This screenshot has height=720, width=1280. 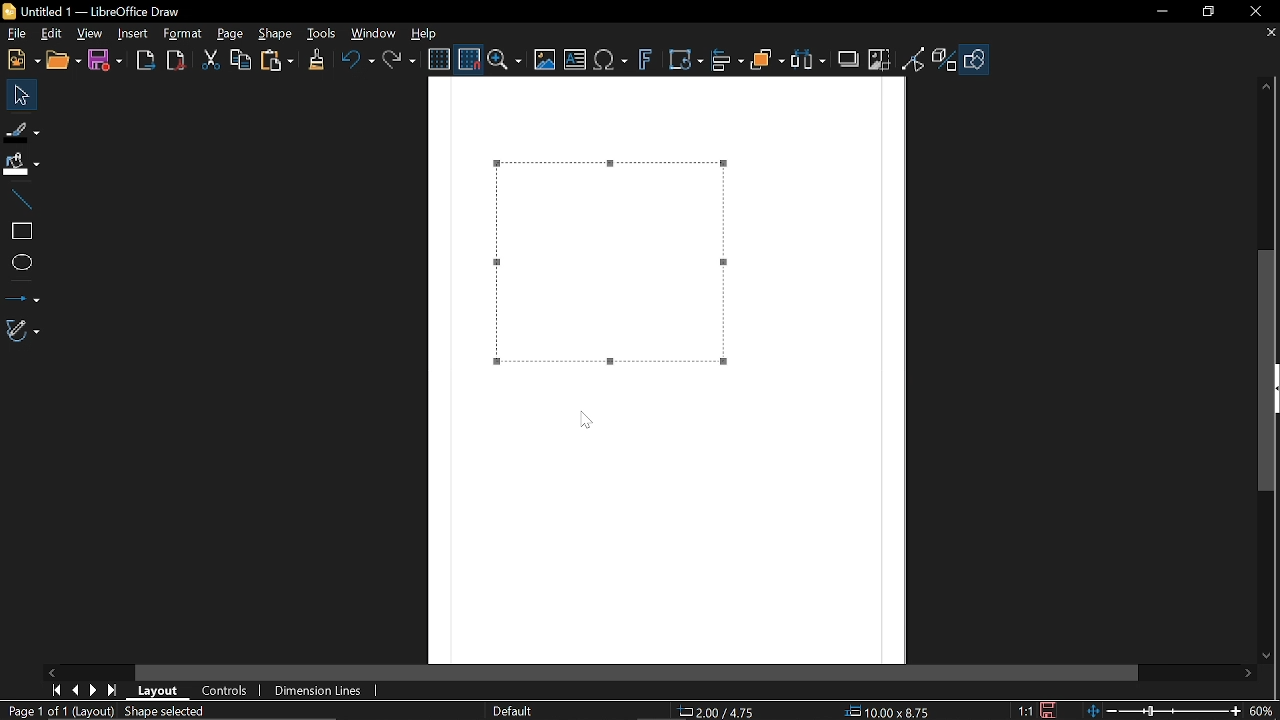 I want to click on Dimension lines, so click(x=319, y=690).